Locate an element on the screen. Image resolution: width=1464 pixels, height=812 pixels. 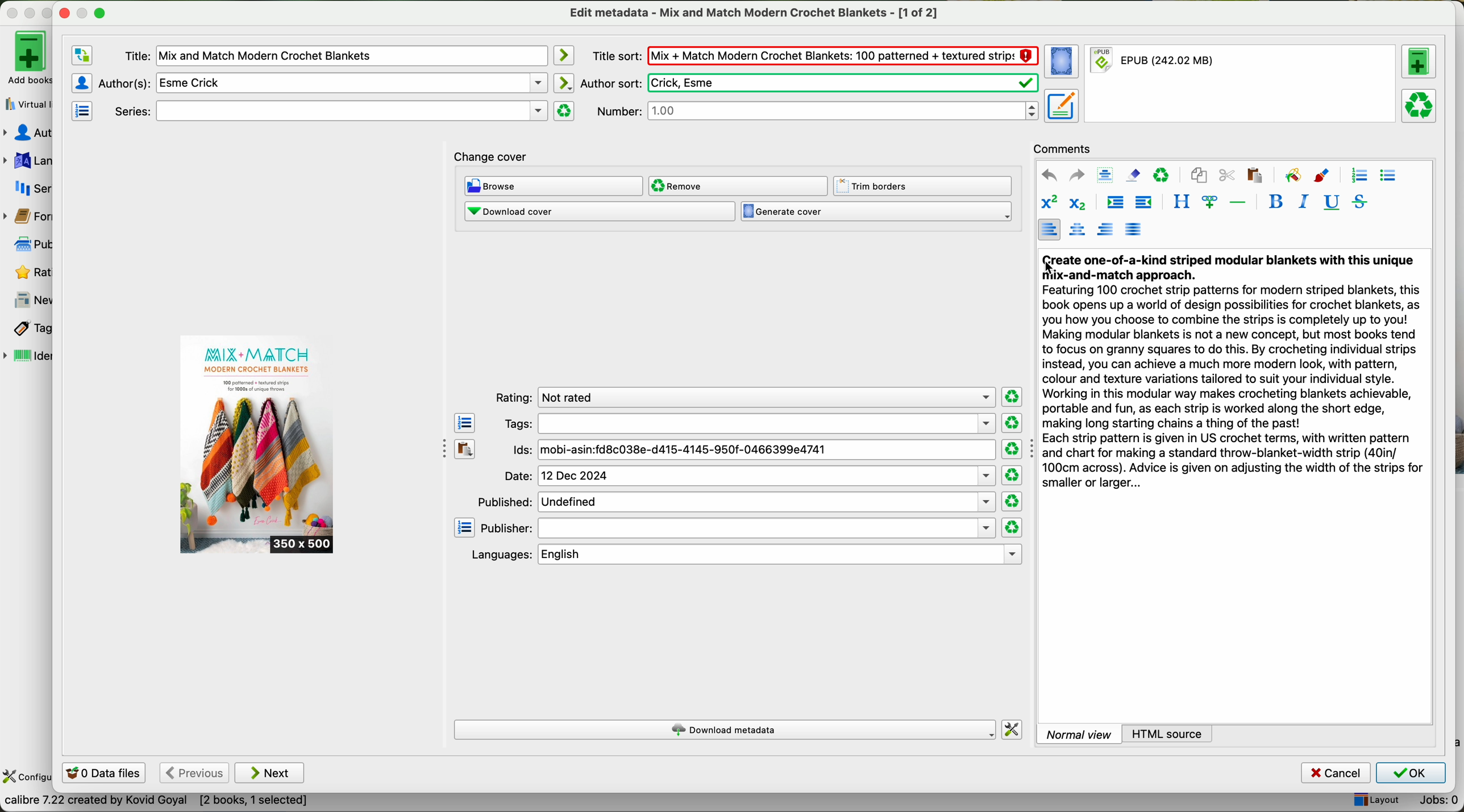
unordered list is located at coordinates (1387, 176).